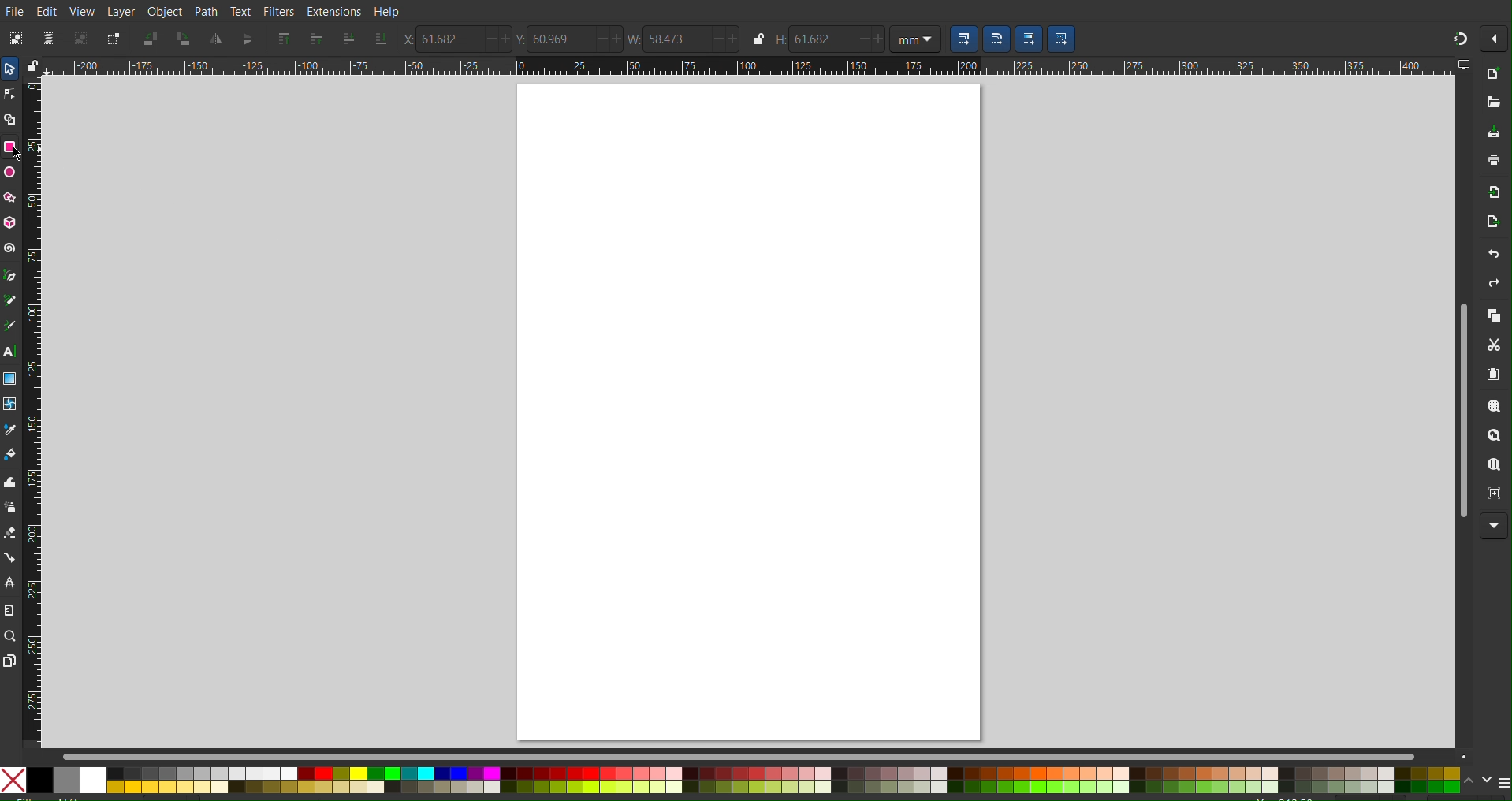 The width and height of the screenshot is (1512, 801). Describe the element at coordinates (1490, 164) in the screenshot. I see `Print` at that location.